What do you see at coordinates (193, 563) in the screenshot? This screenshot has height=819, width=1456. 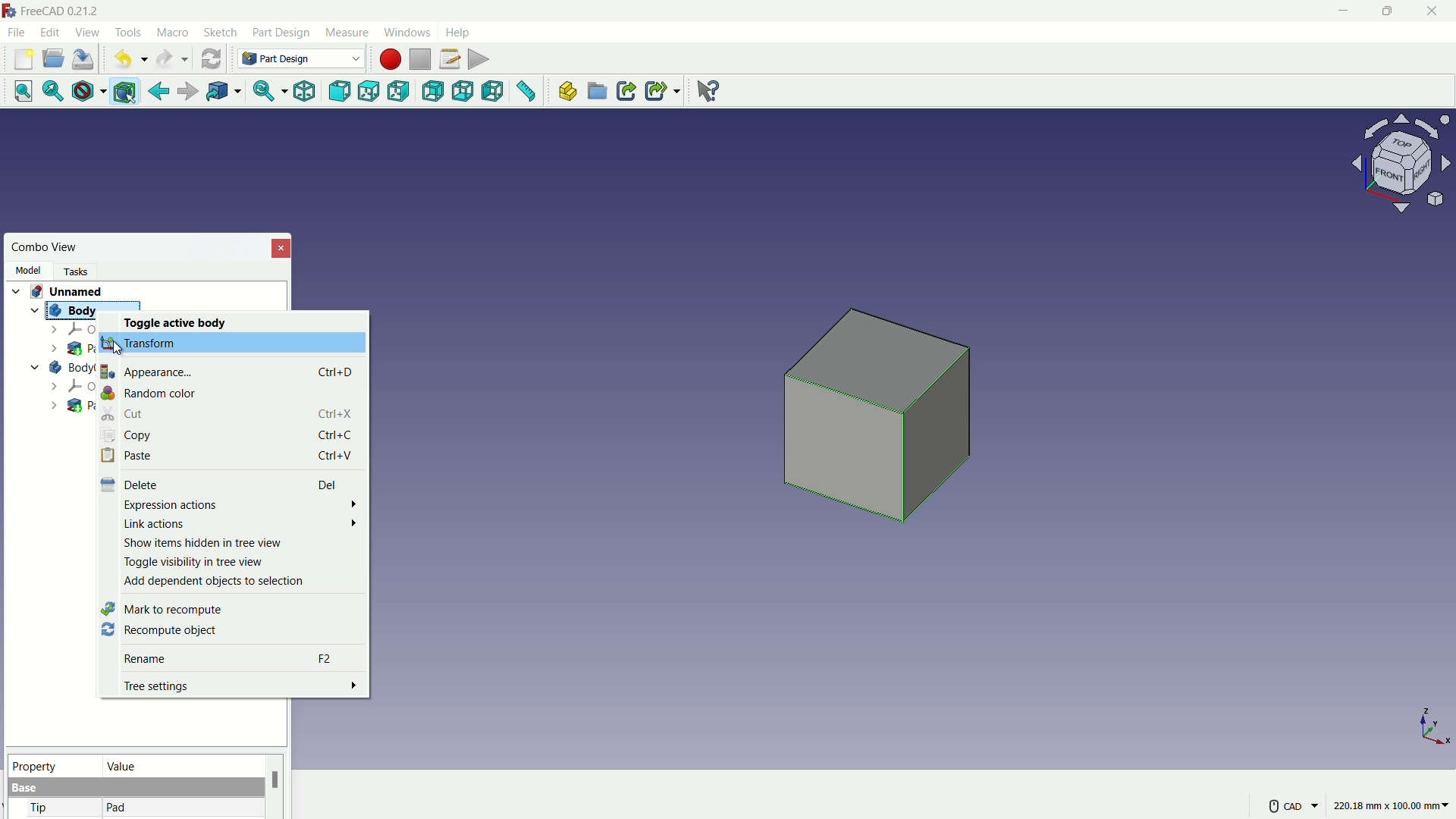 I see `Toggle visibility in tree view` at bounding box center [193, 563].